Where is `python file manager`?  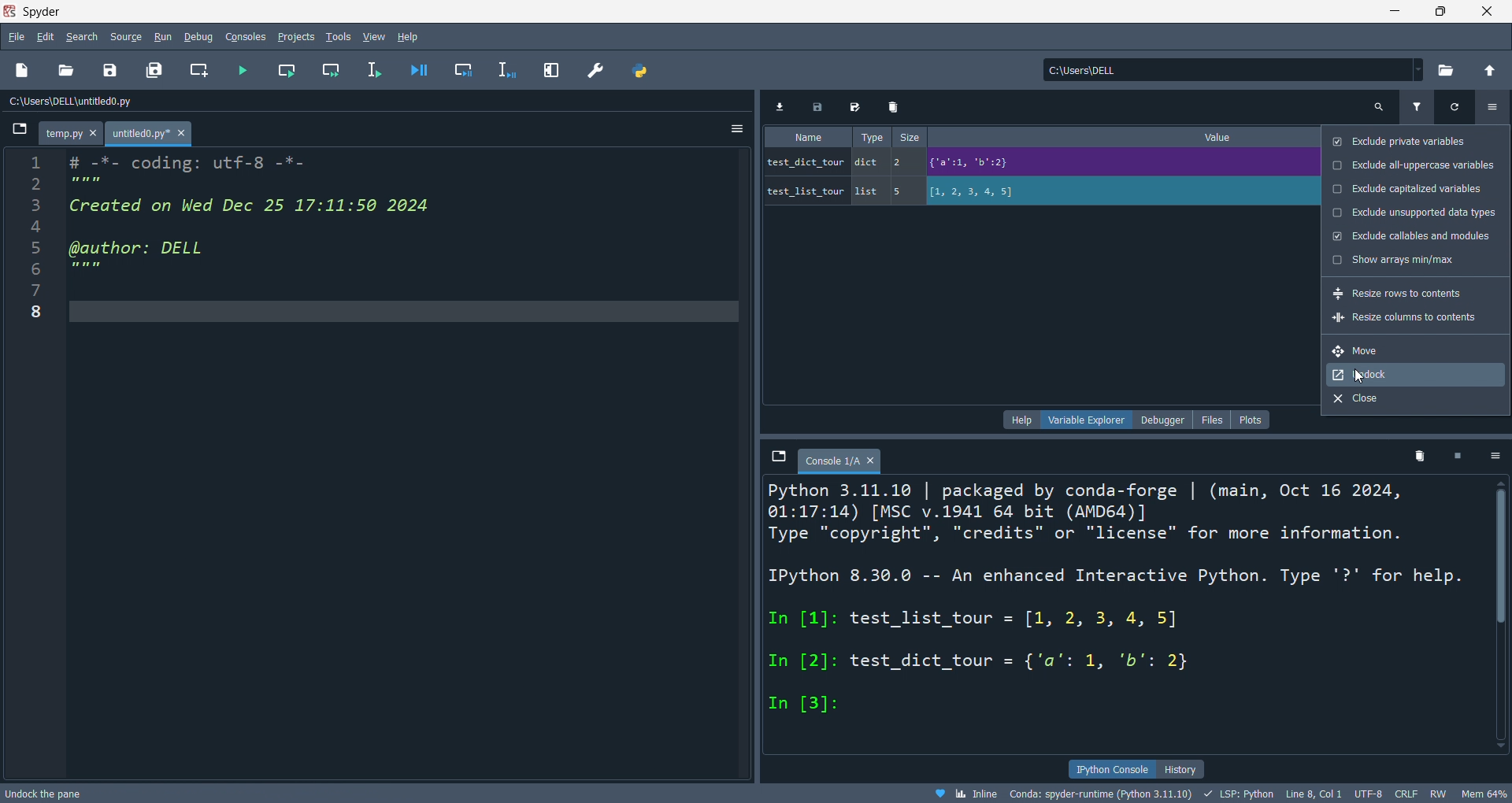 python file manager is located at coordinates (636, 68).